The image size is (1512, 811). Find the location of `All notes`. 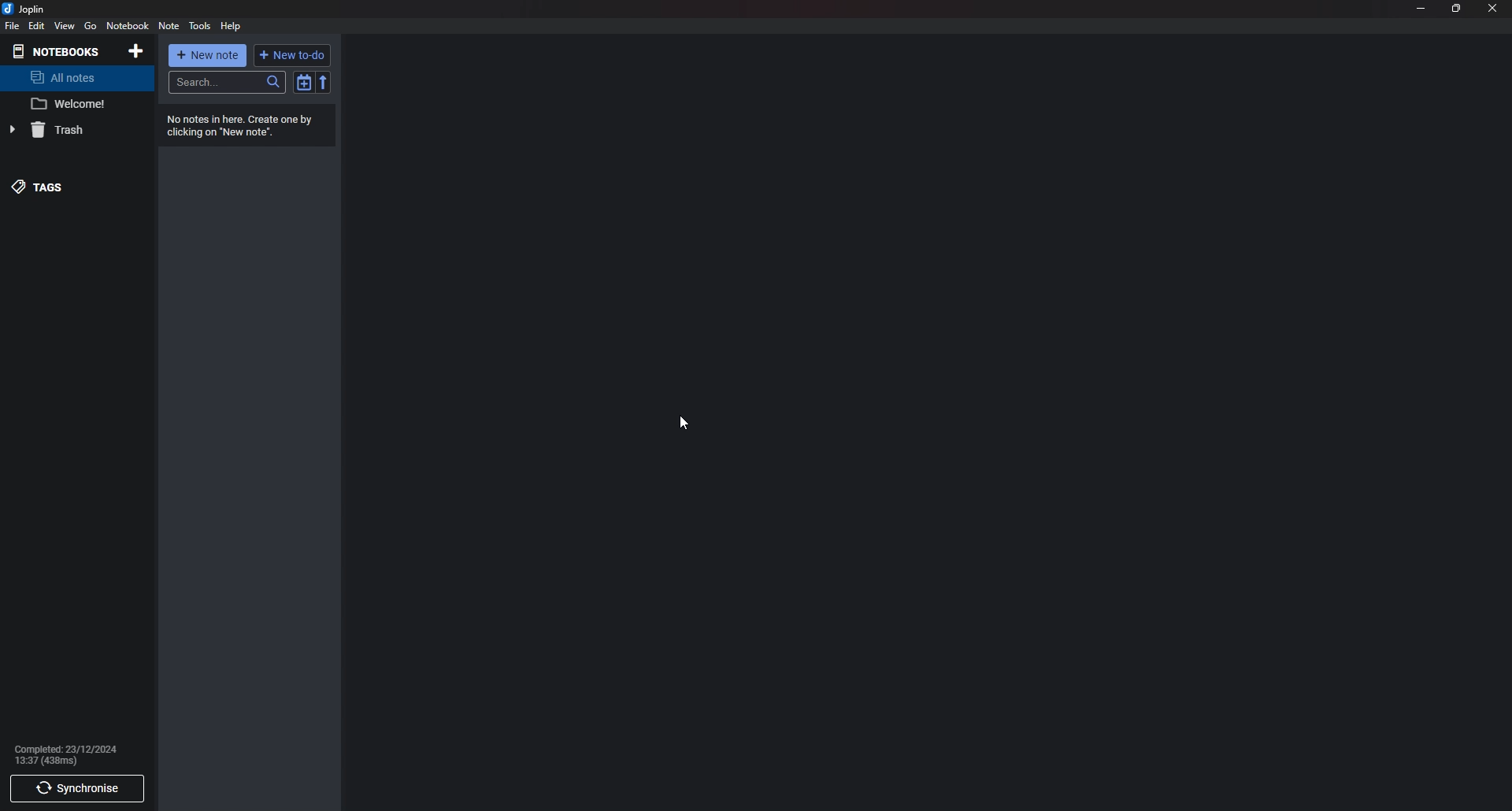

All notes is located at coordinates (76, 79).